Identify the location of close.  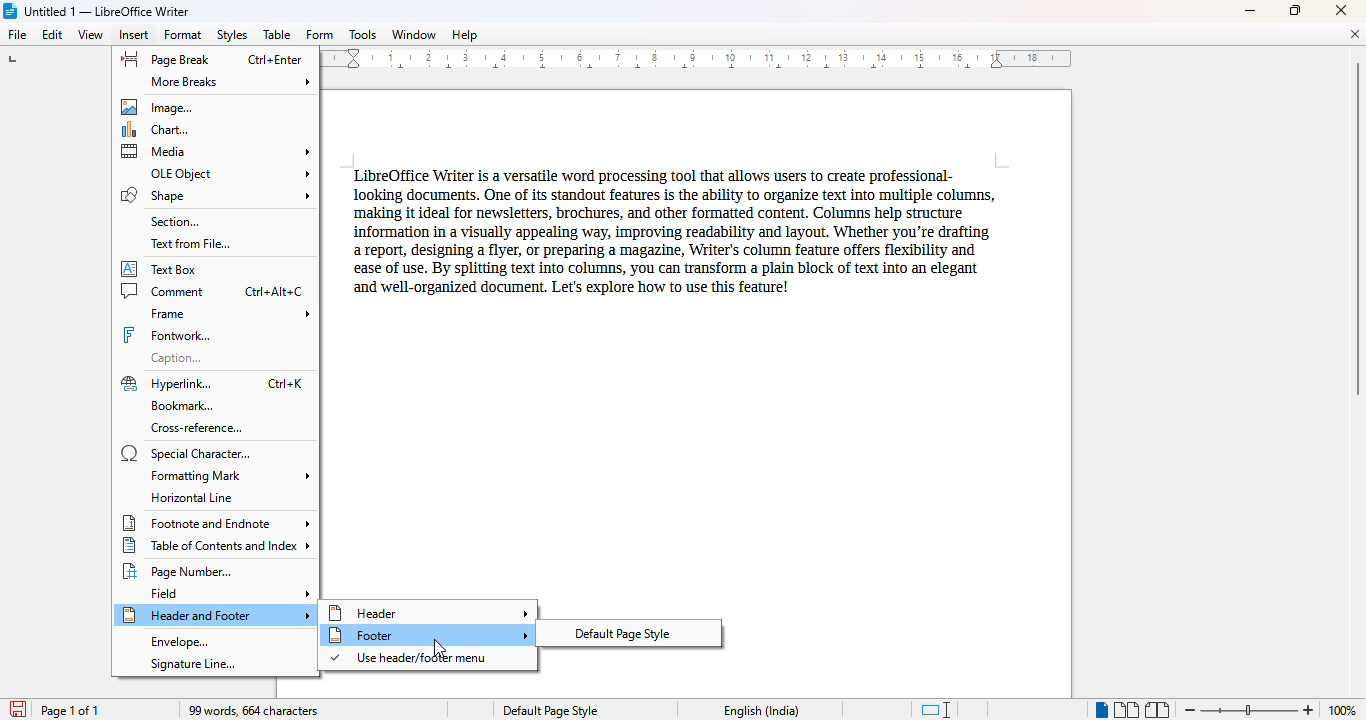
(1343, 10).